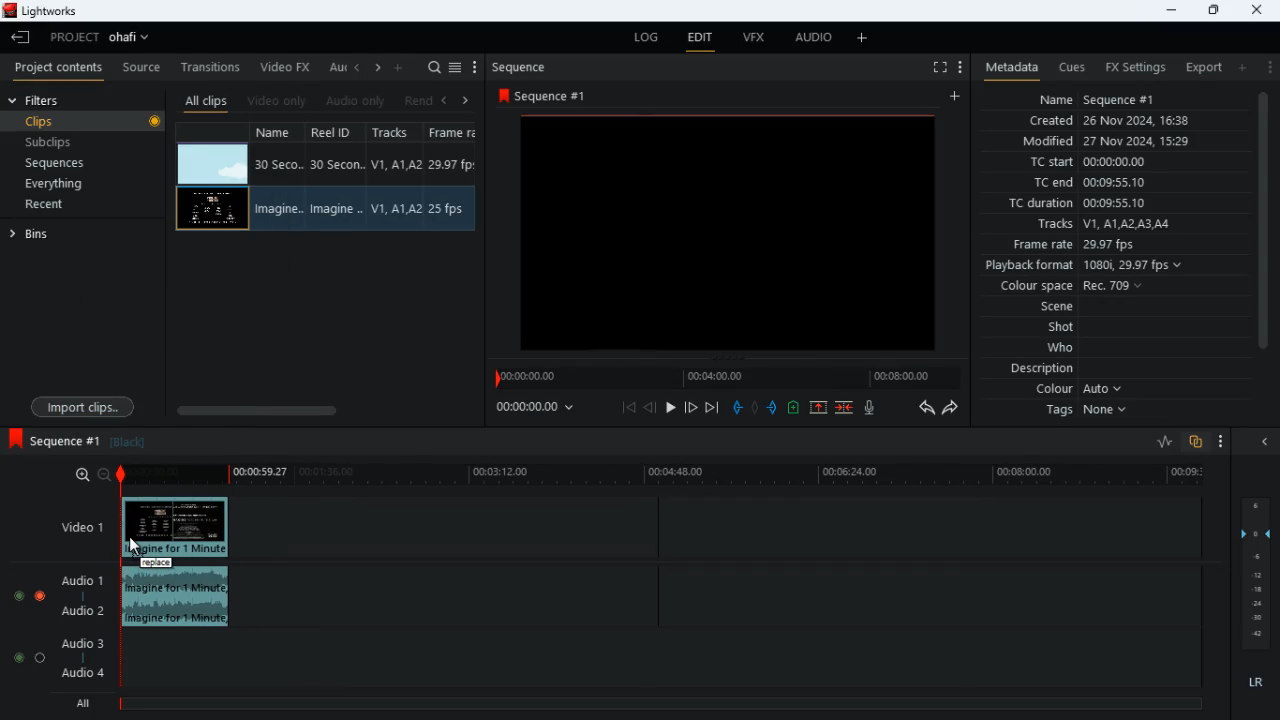  What do you see at coordinates (83, 406) in the screenshot?
I see `import clips` at bounding box center [83, 406].